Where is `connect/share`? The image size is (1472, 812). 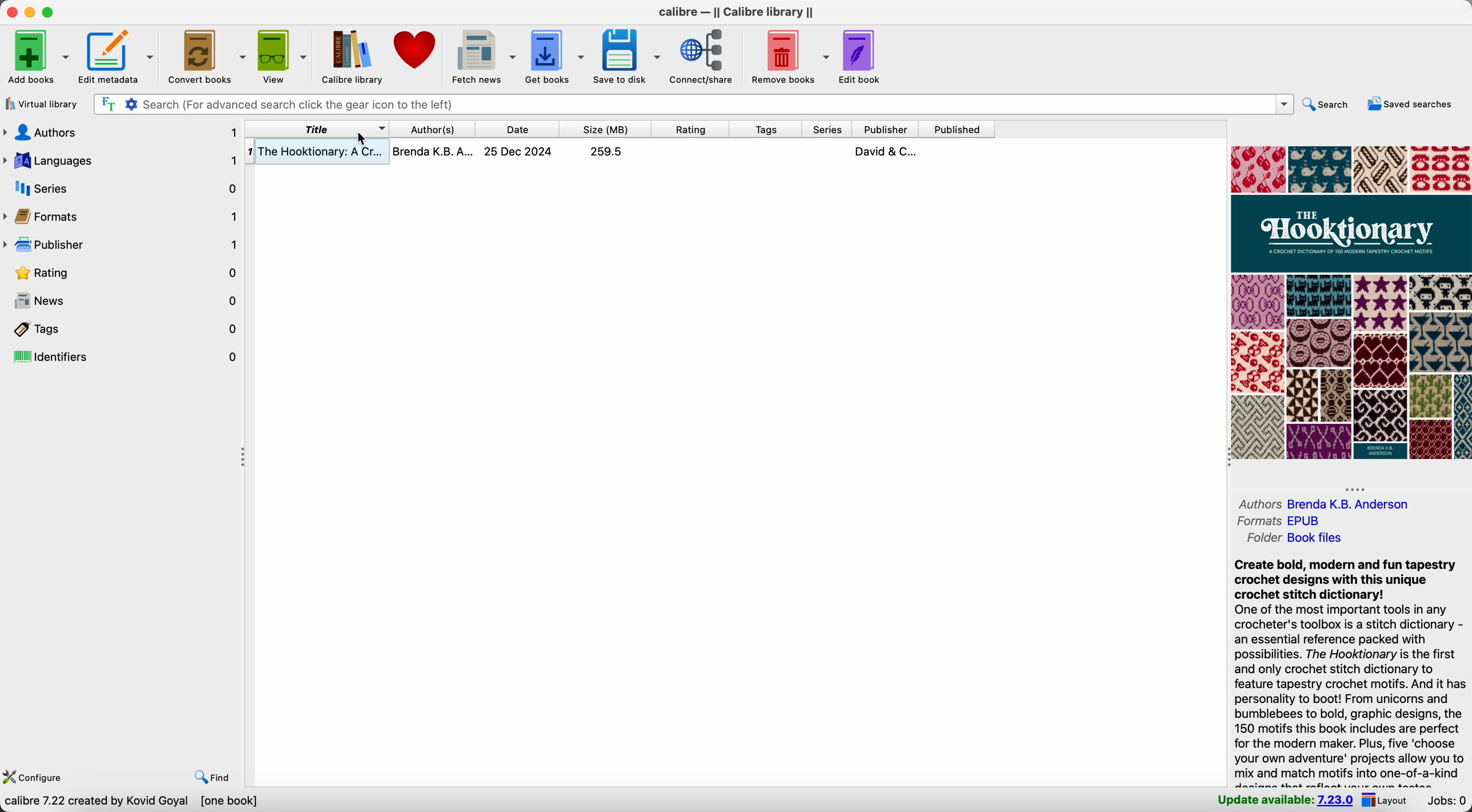
connect/share is located at coordinates (703, 56).